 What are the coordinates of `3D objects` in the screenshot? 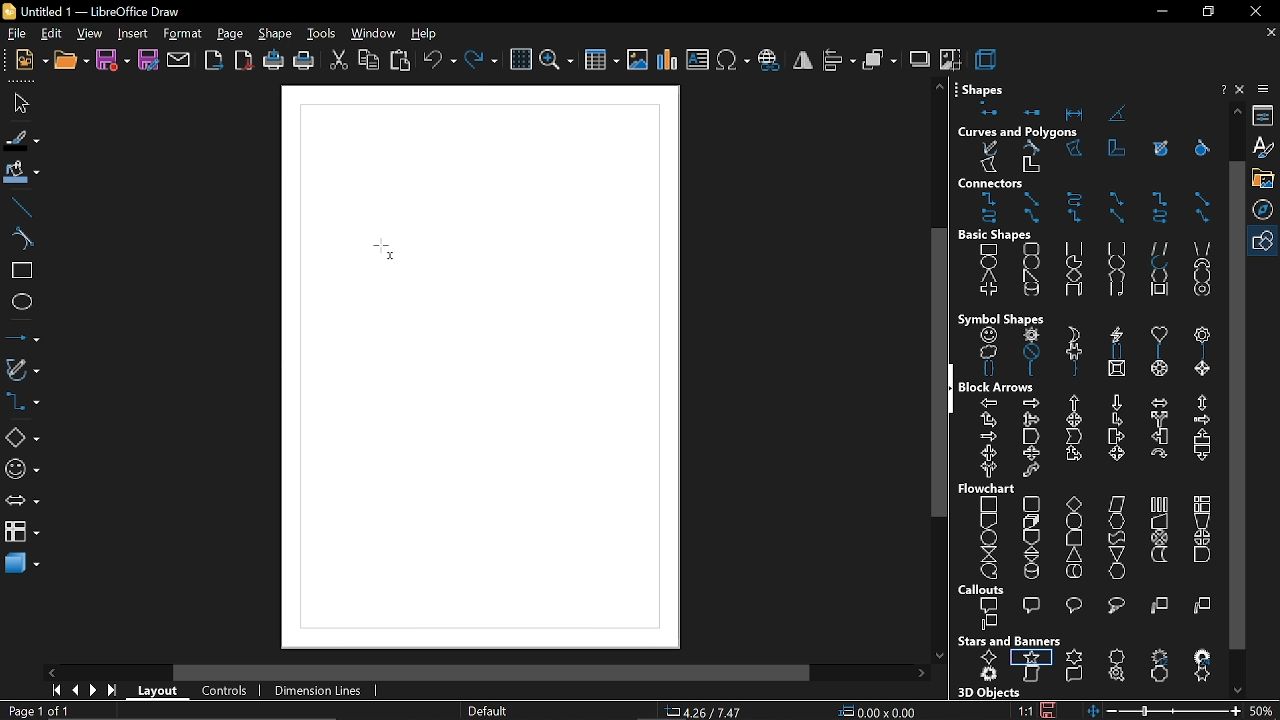 It's located at (991, 691).